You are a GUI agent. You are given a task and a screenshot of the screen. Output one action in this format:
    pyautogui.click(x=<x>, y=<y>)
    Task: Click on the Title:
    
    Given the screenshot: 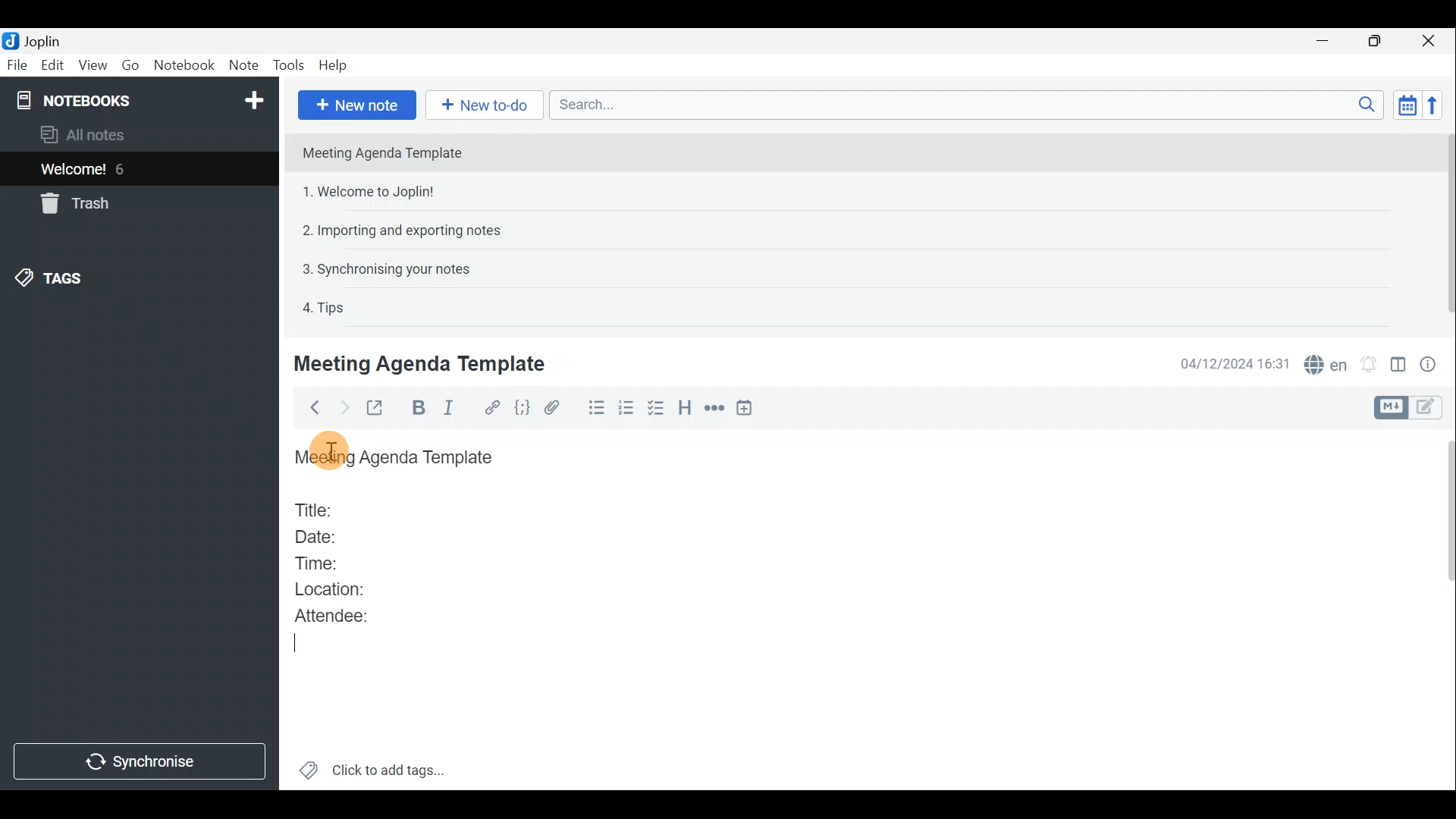 What is the action you would take?
    pyautogui.click(x=316, y=507)
    